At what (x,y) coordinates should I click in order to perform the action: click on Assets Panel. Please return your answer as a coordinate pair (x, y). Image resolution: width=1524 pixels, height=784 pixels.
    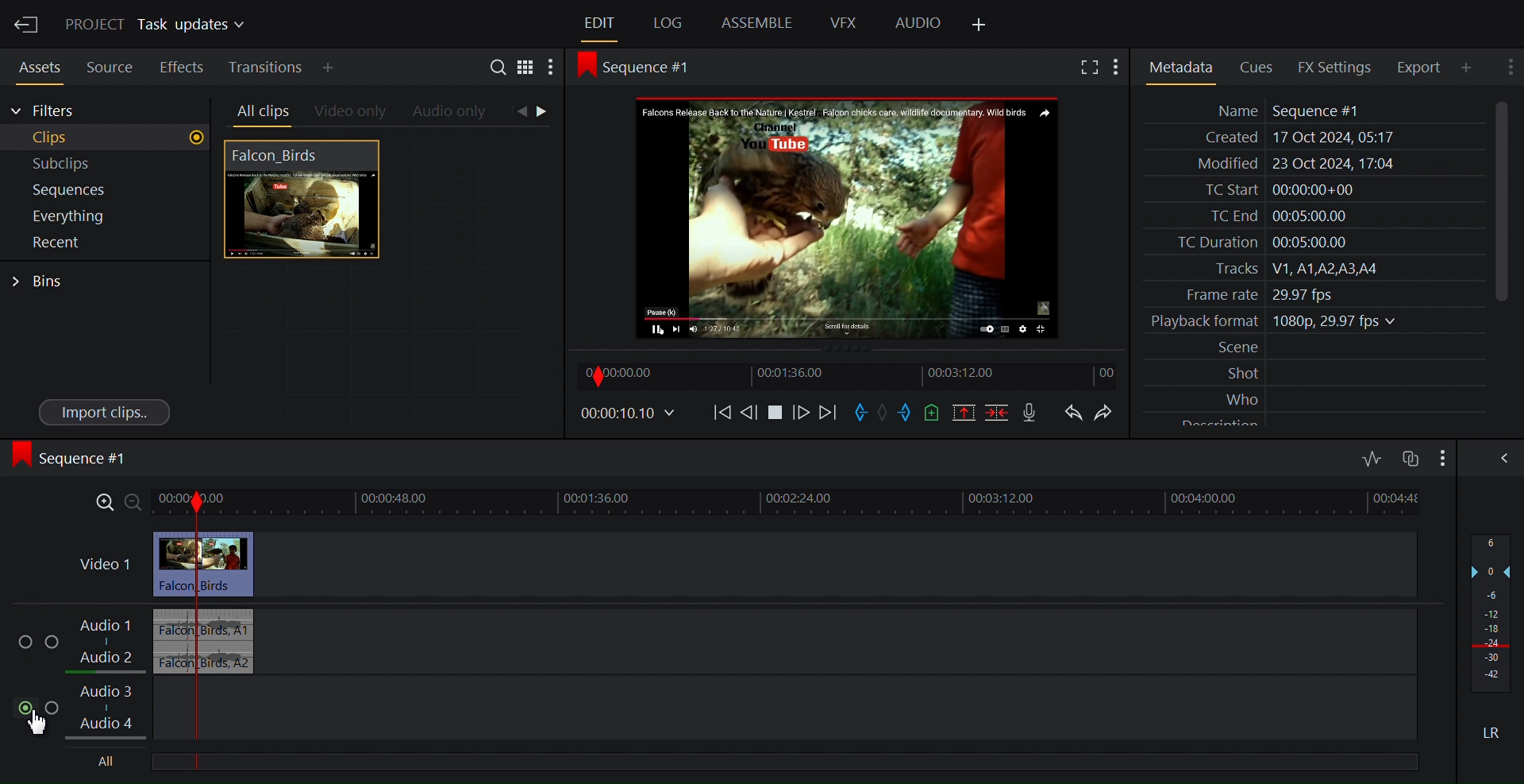
    Looking at the image, I should click on (35, 65).